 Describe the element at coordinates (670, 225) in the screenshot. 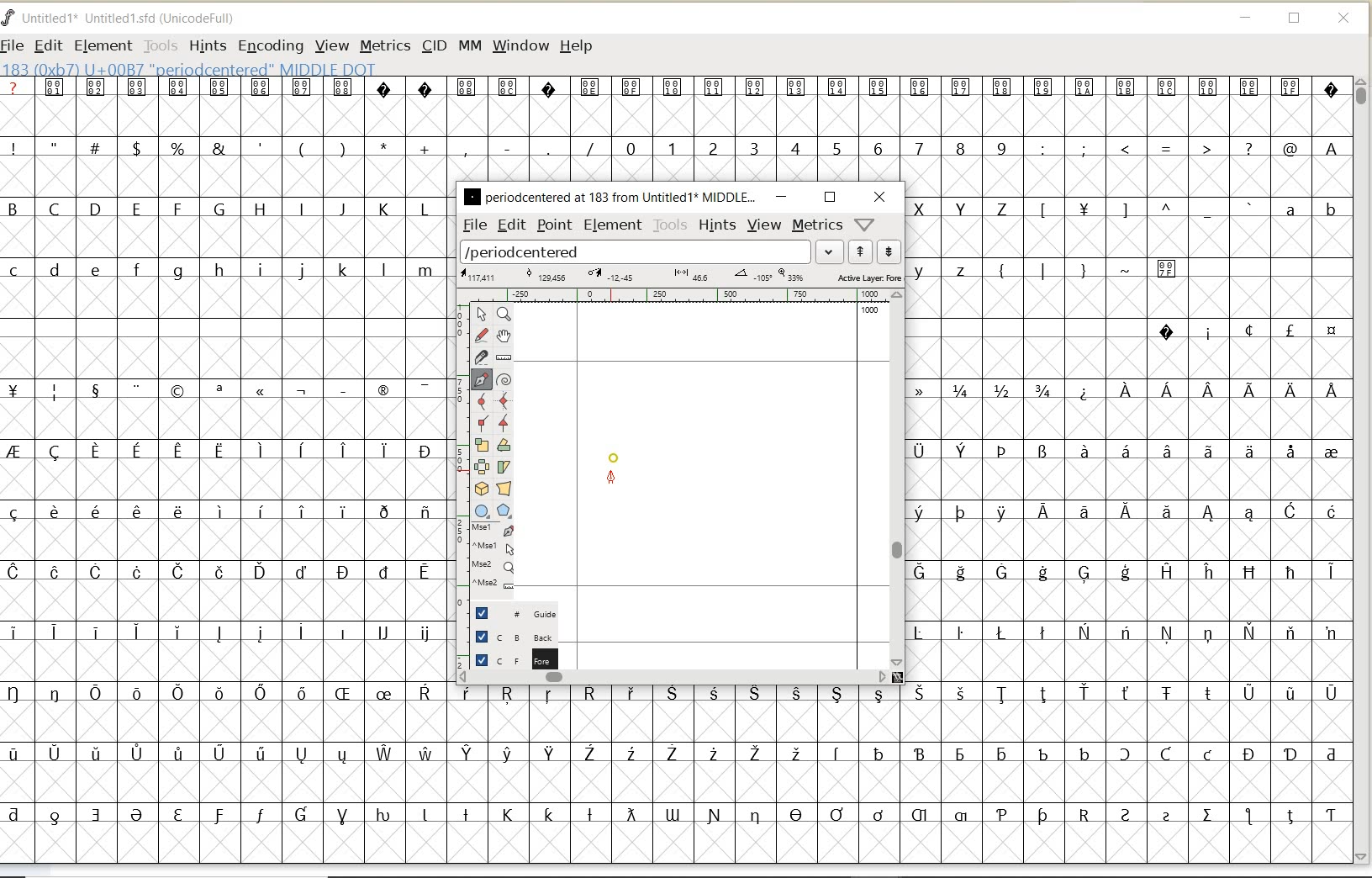

I see `tools` at that location.